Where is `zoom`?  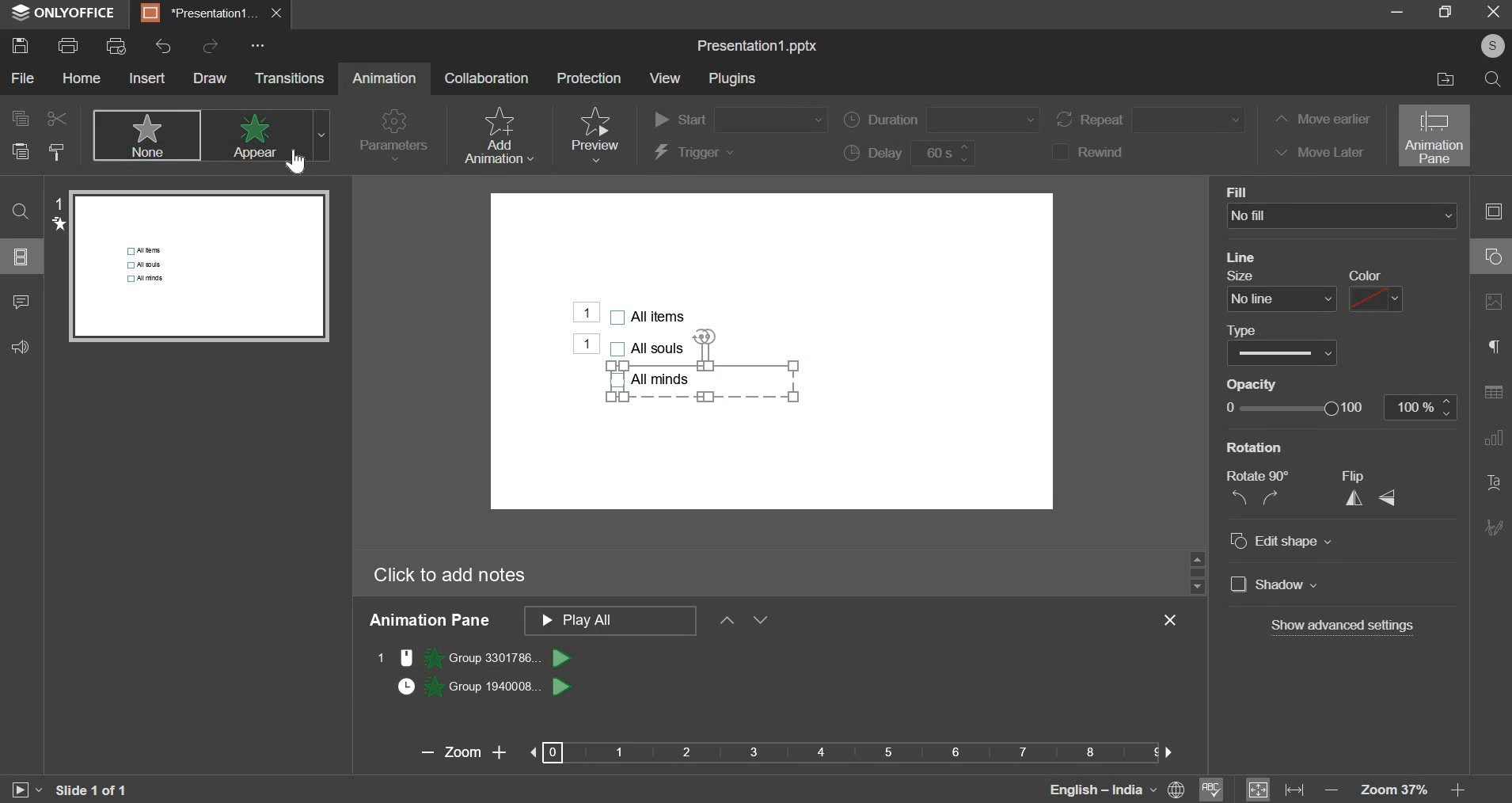
zoom is located at coordinates (785, 752).